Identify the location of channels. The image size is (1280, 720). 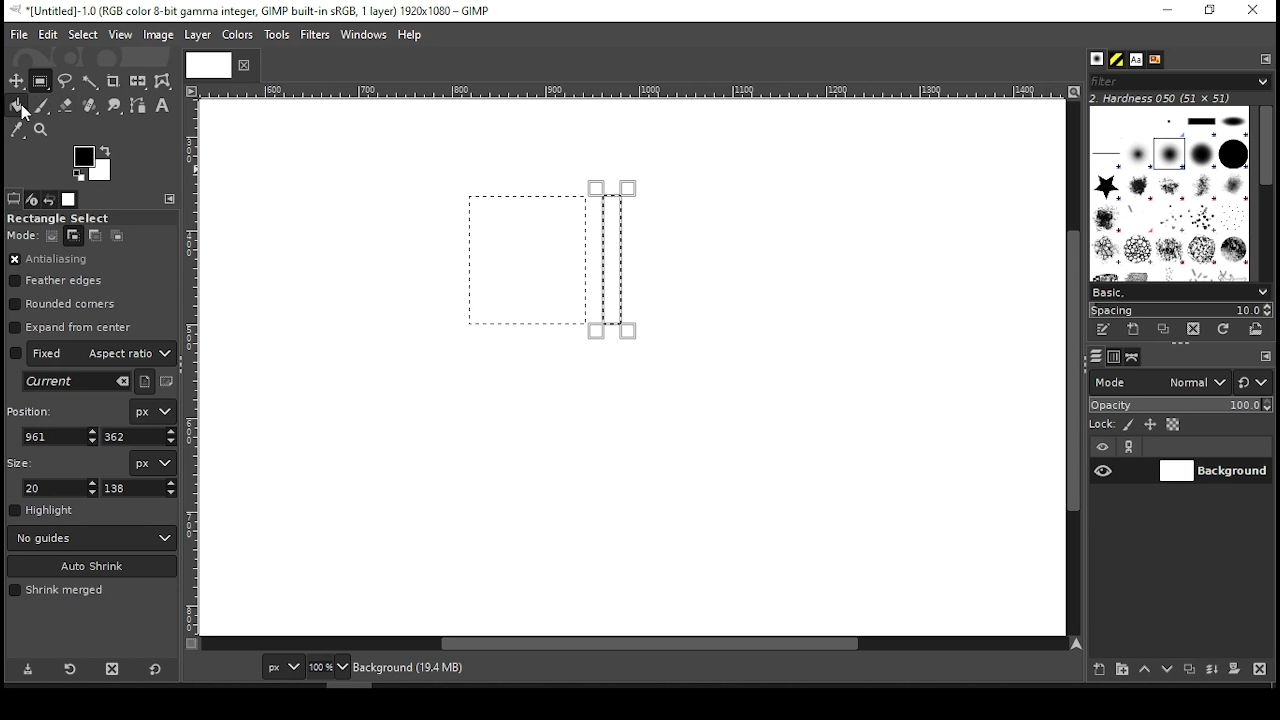
(1113, 357).